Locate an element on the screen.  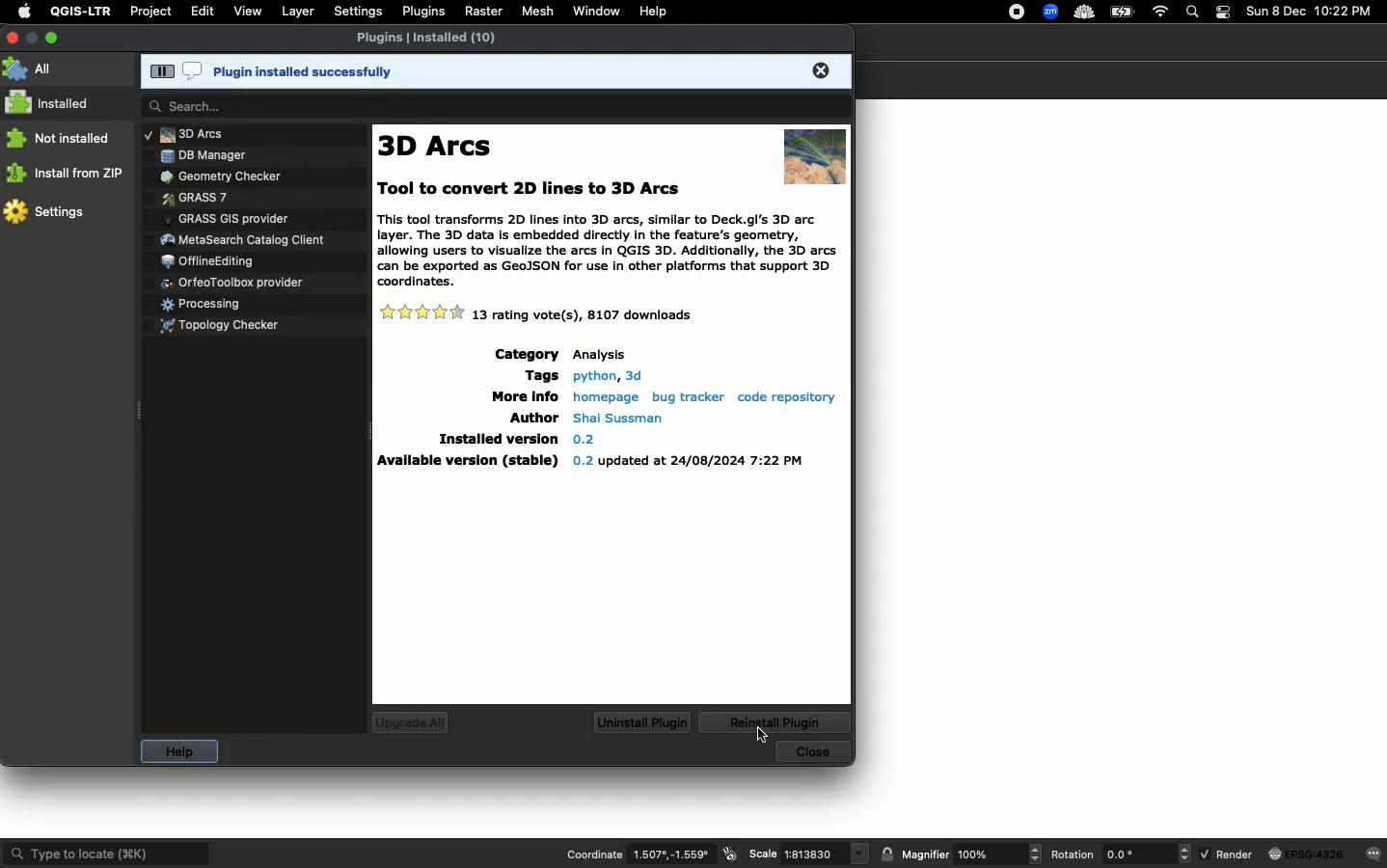
Plugins is located at coordinates (208, 259).